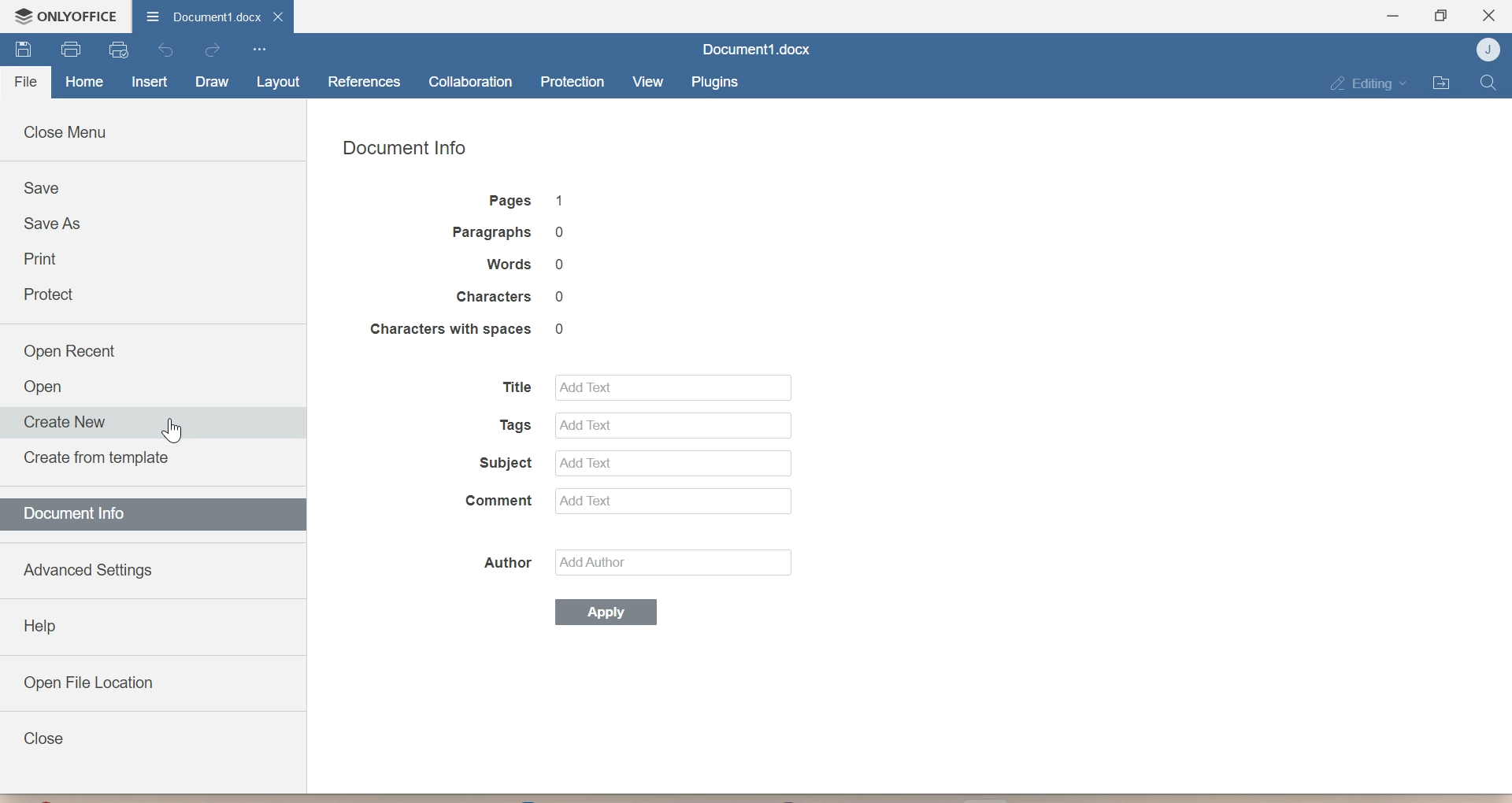 The height and width of the screenshot is (803, 1512). What do you see at coordinates (83, 516) in the screenshot?
I see `Document infor` at bounding box center [83, 516].